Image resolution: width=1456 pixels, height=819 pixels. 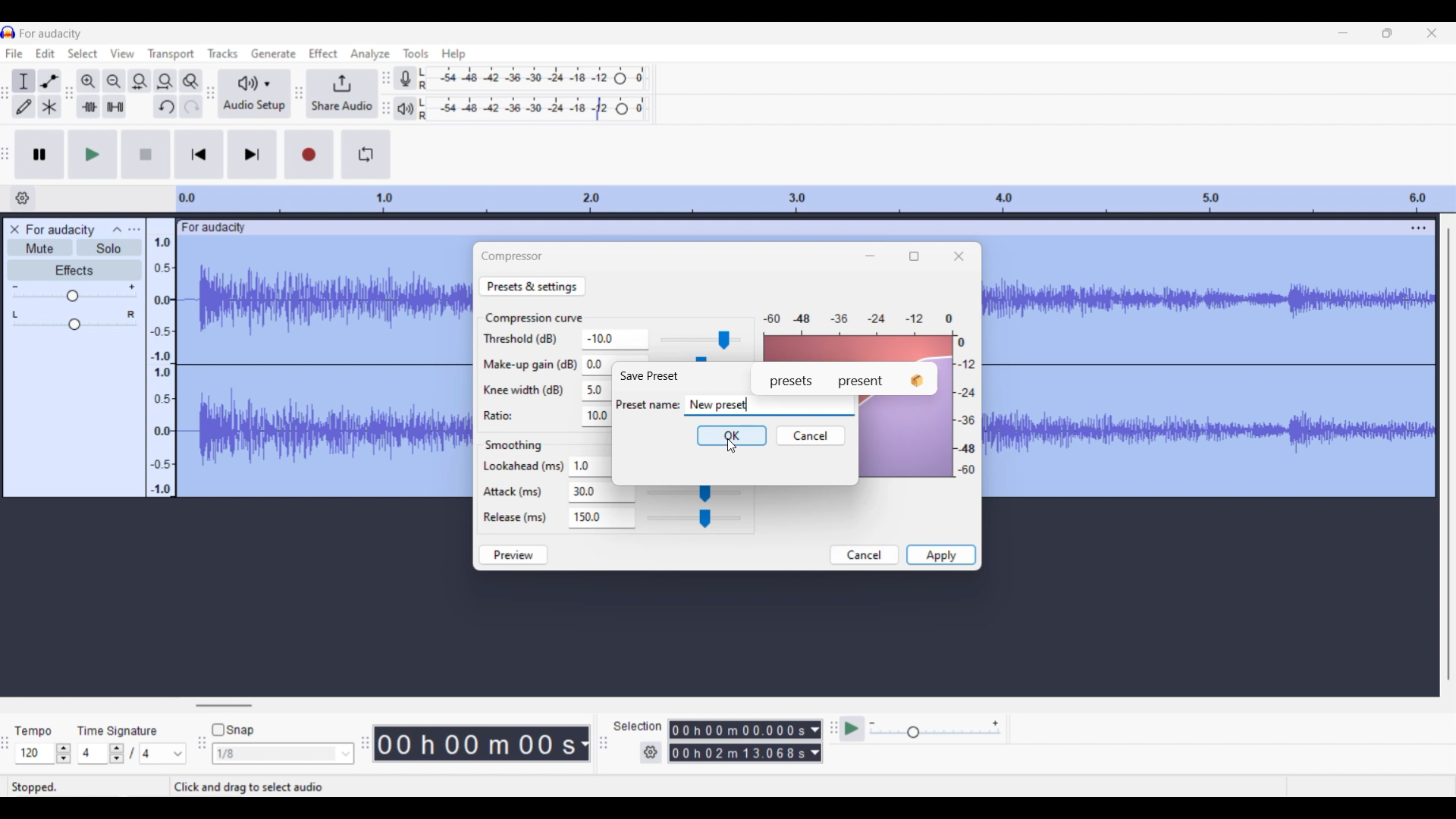 I want to click on Text box for Lookahead, so click(x=591, y=466).